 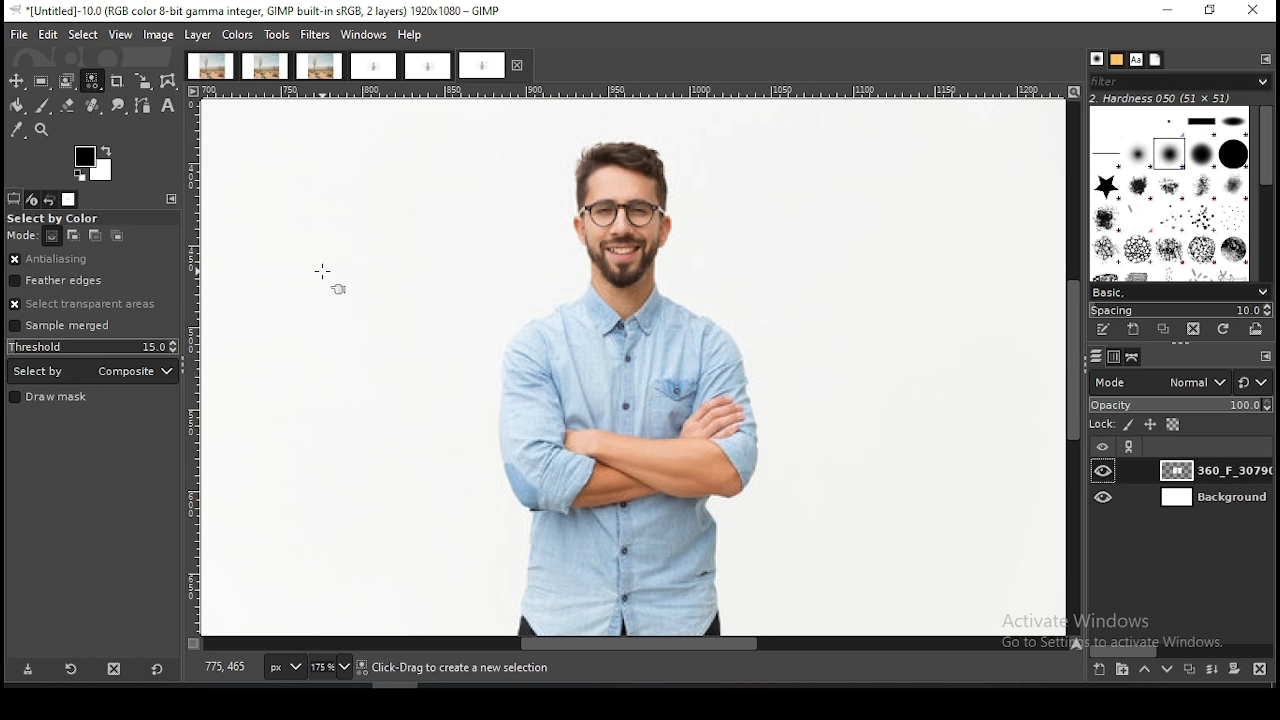 I want to click on project tab, so click(x=495, y=65).